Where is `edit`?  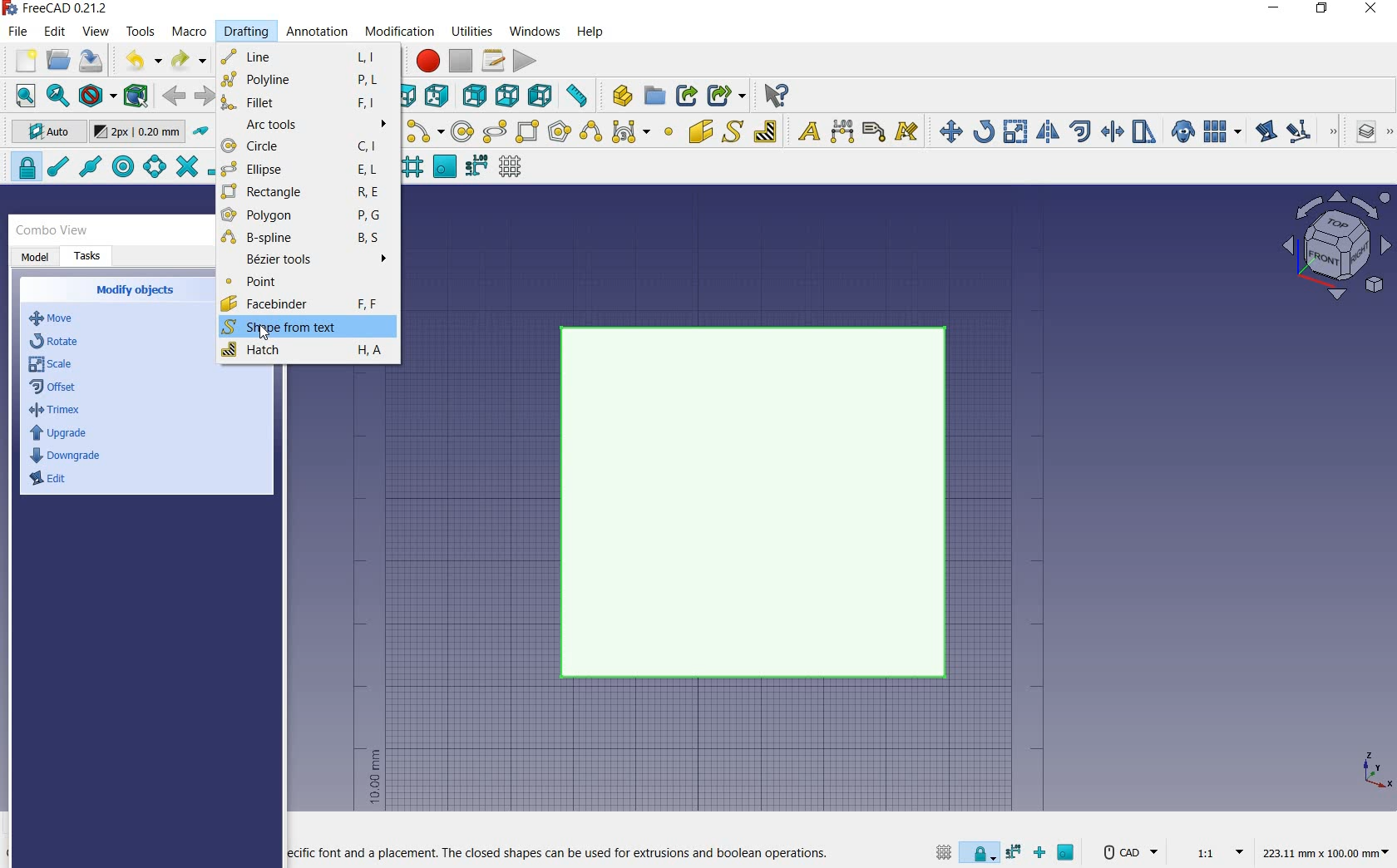 edit is located at coordinates (1265, 133).